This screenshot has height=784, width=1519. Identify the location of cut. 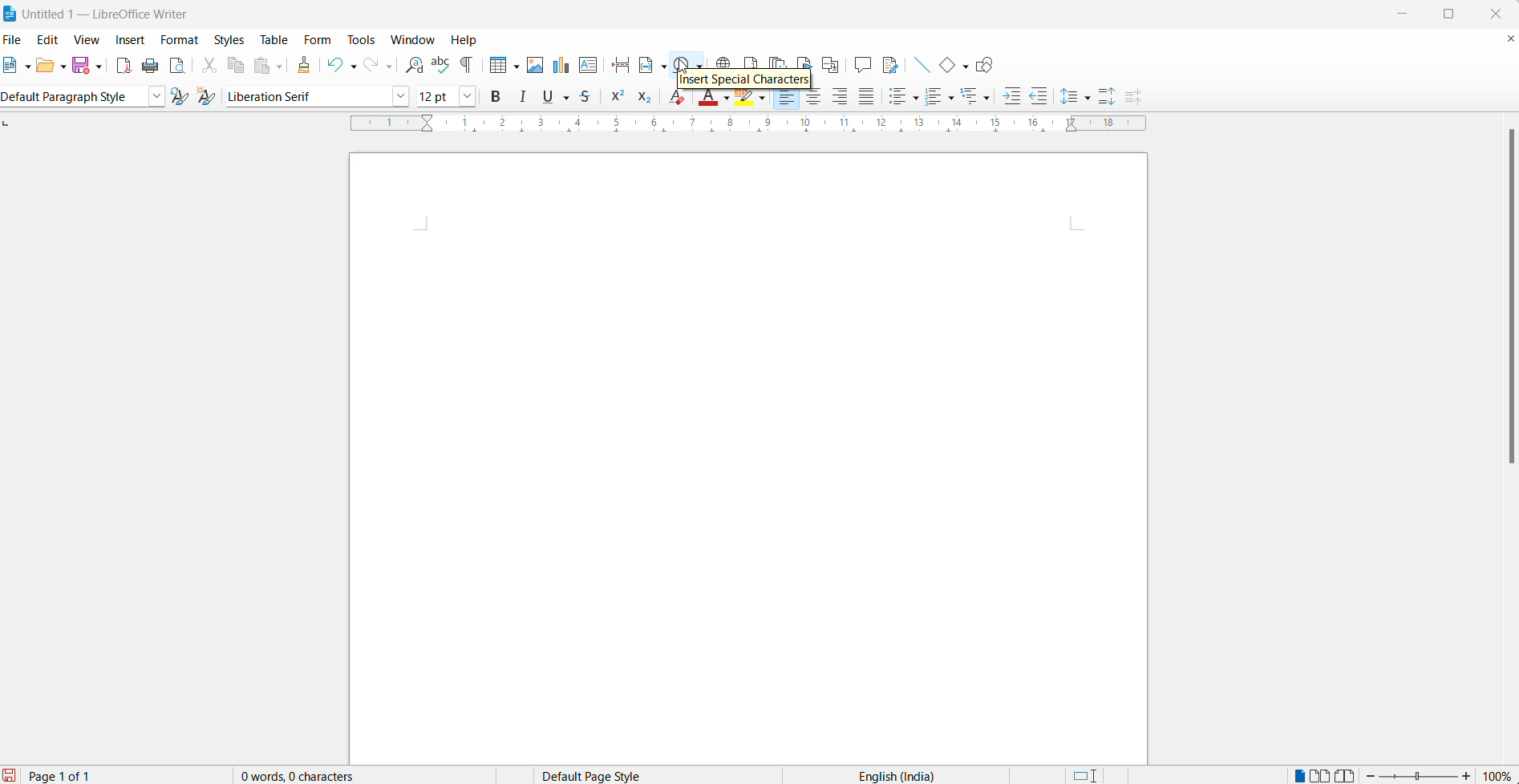
(205, 68).